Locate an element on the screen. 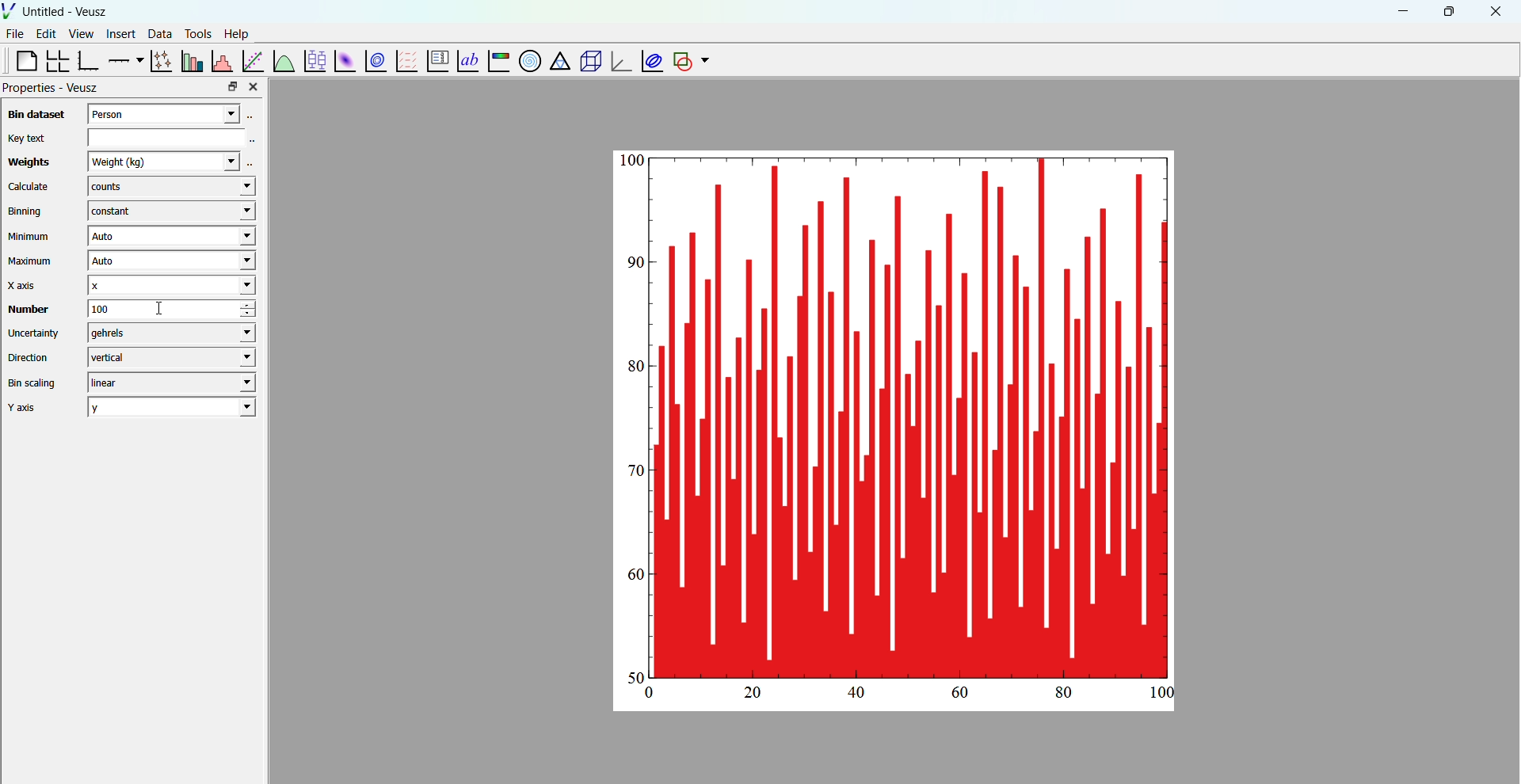 This screenshot has height=784, width=1521. Number is located at coordinates (27, 309).